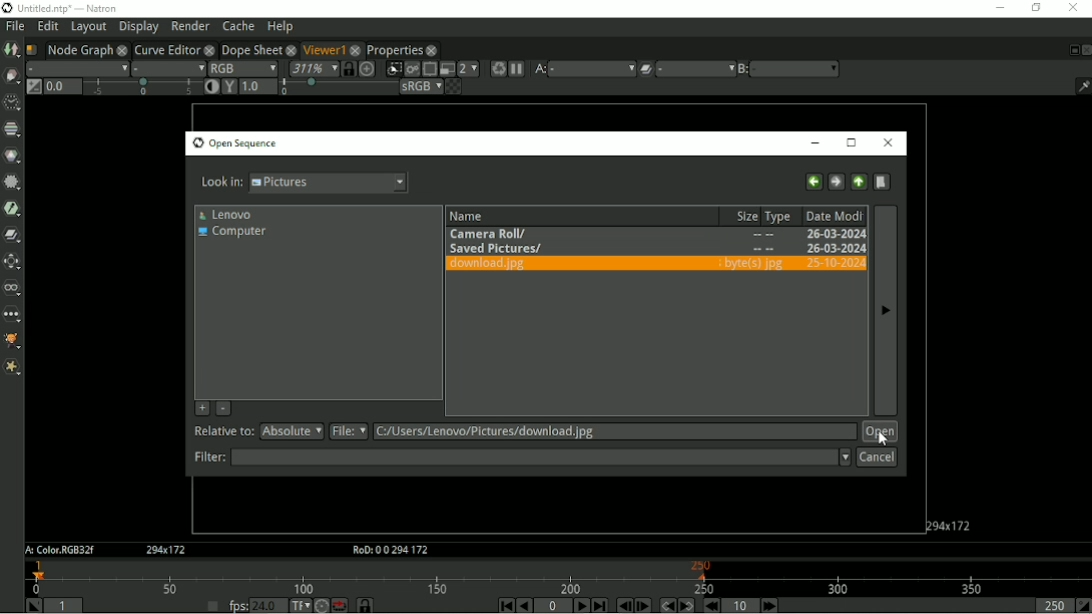 This screenshot has width=1092, height=614. I want to click on pictures, so click(331, 183).